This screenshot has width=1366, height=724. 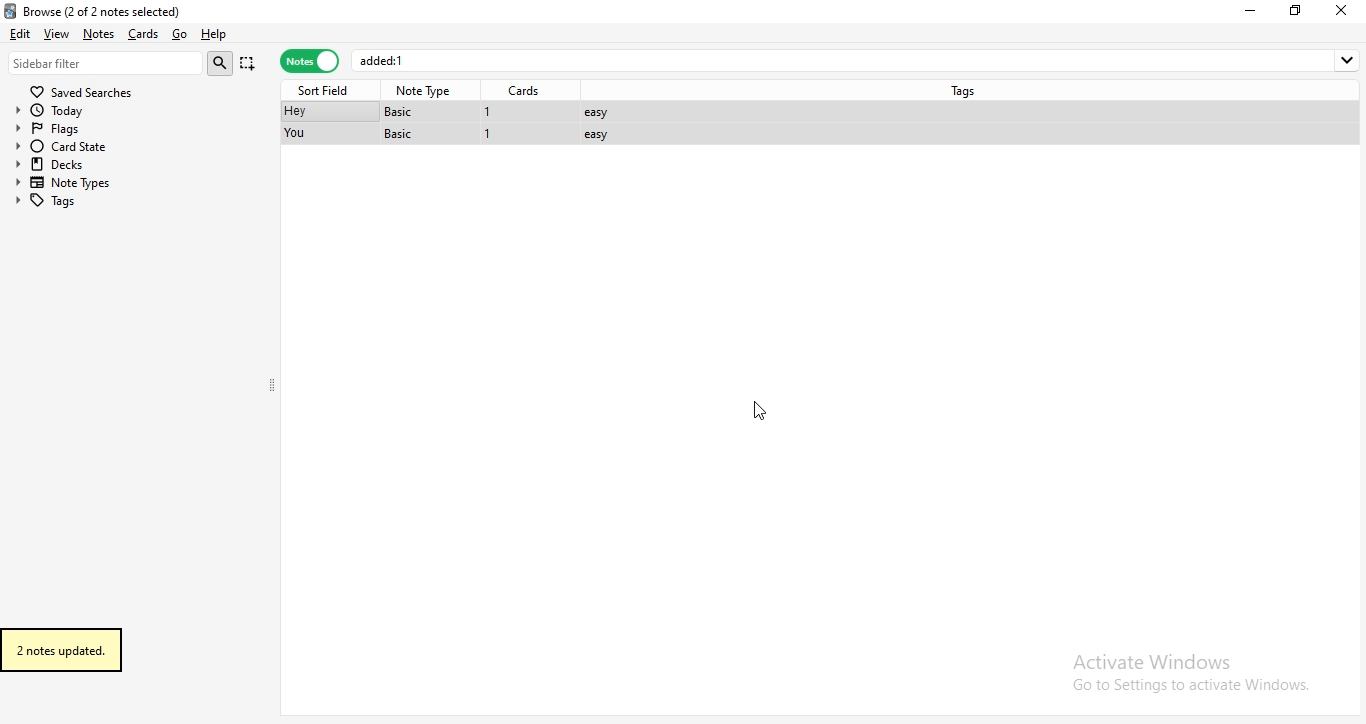 I want to click on tags, so click(x=968, y=89).